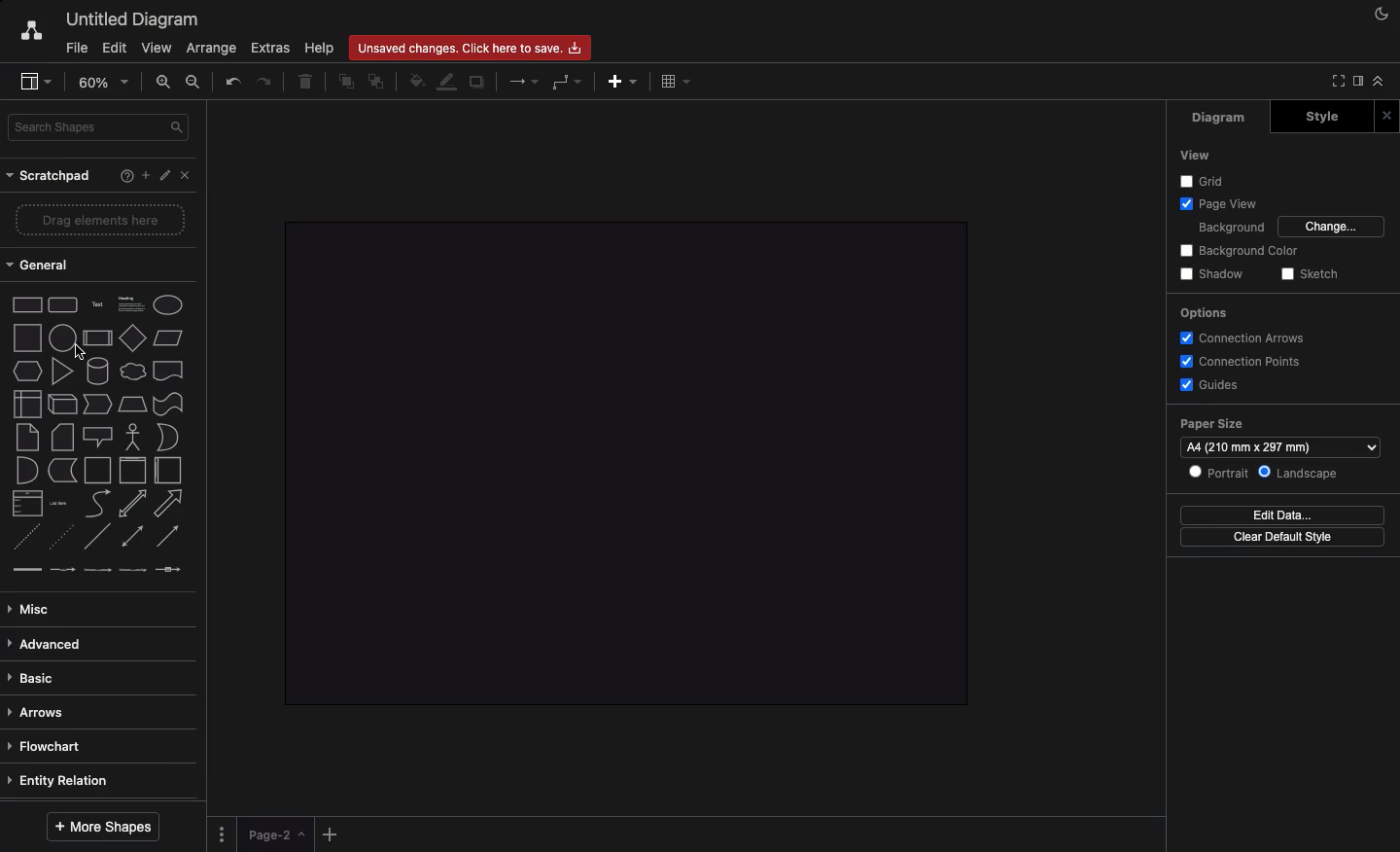 The height and width of the screenshot is (852, 1400). Describe the element at coordinates (1211, 385) in the screenshot. I see `Guides` at that location.